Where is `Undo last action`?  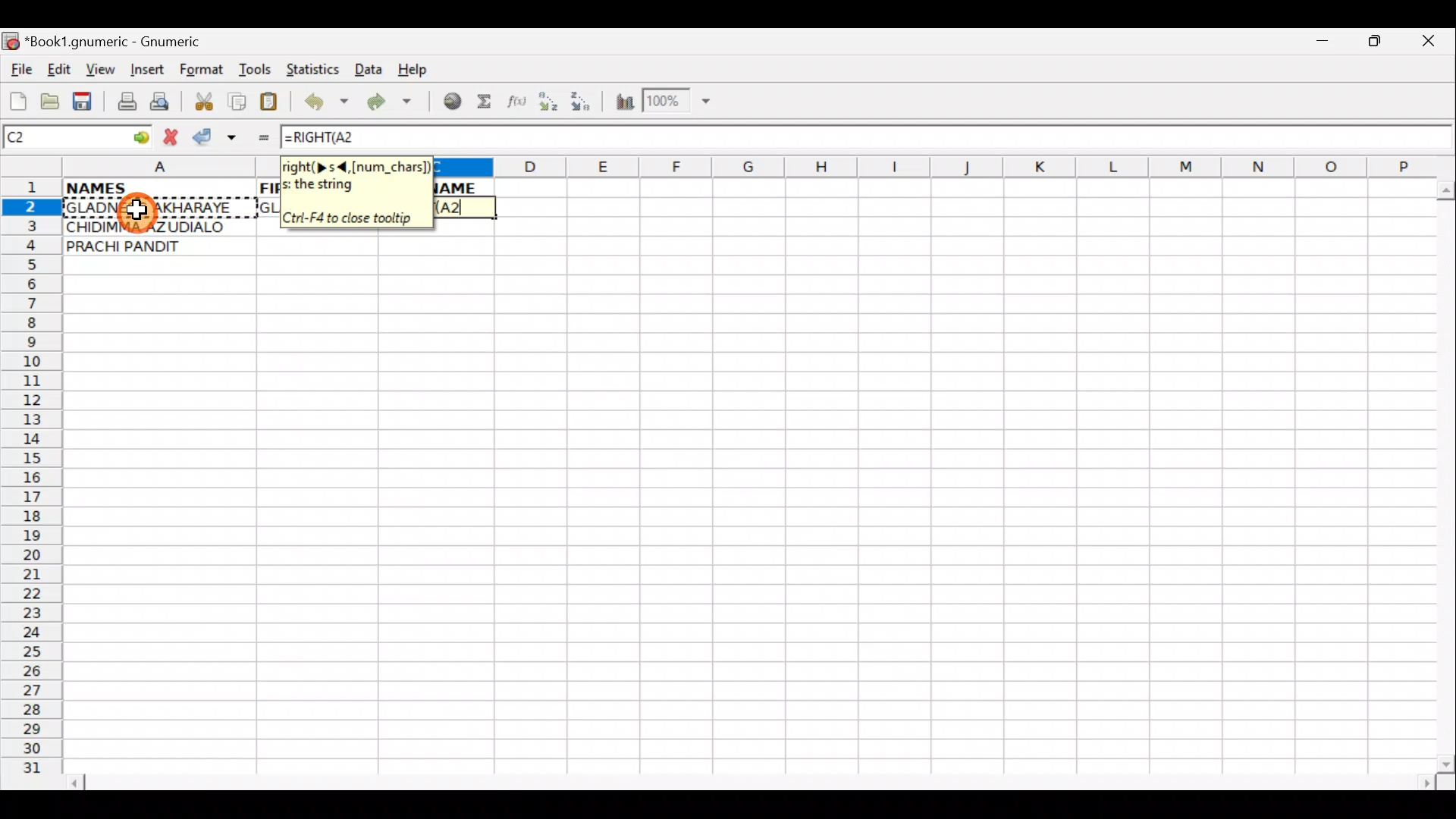
Undo last action is located at coordinates (328, 104).